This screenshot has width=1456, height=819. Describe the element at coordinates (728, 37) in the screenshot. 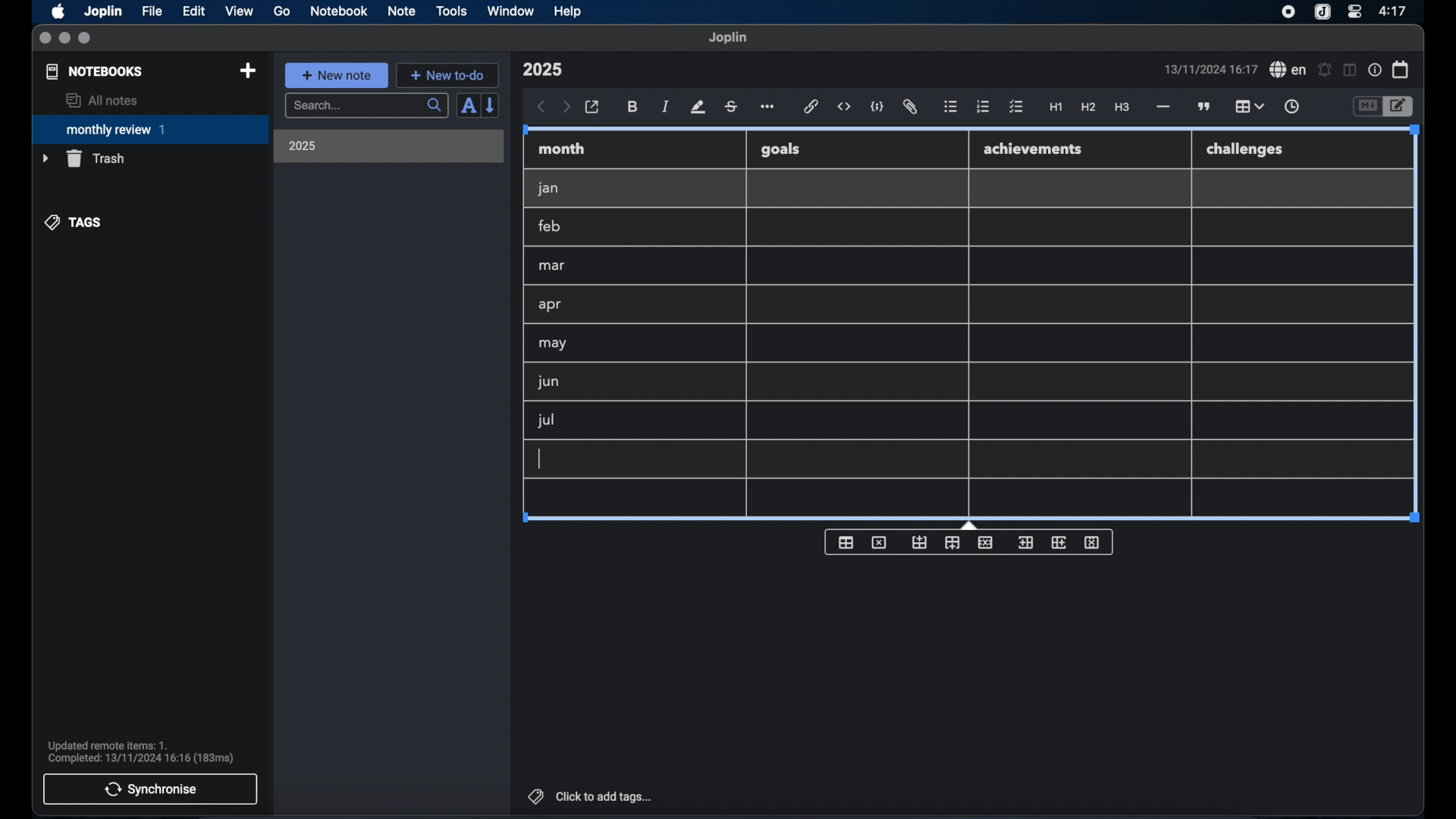

I see `joplin` at that location.